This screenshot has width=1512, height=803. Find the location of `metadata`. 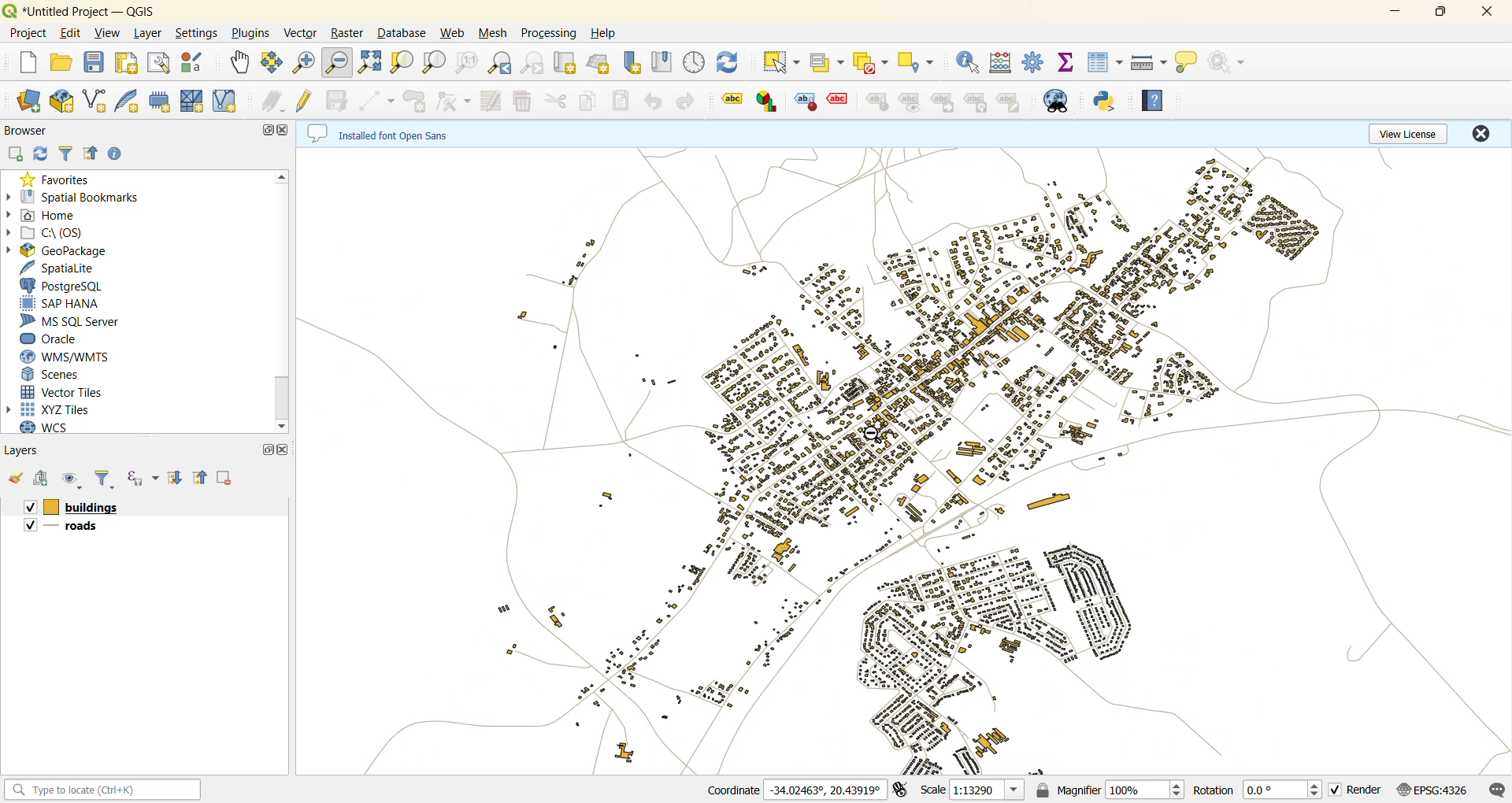

metadata is located at coordinates (380, 132).